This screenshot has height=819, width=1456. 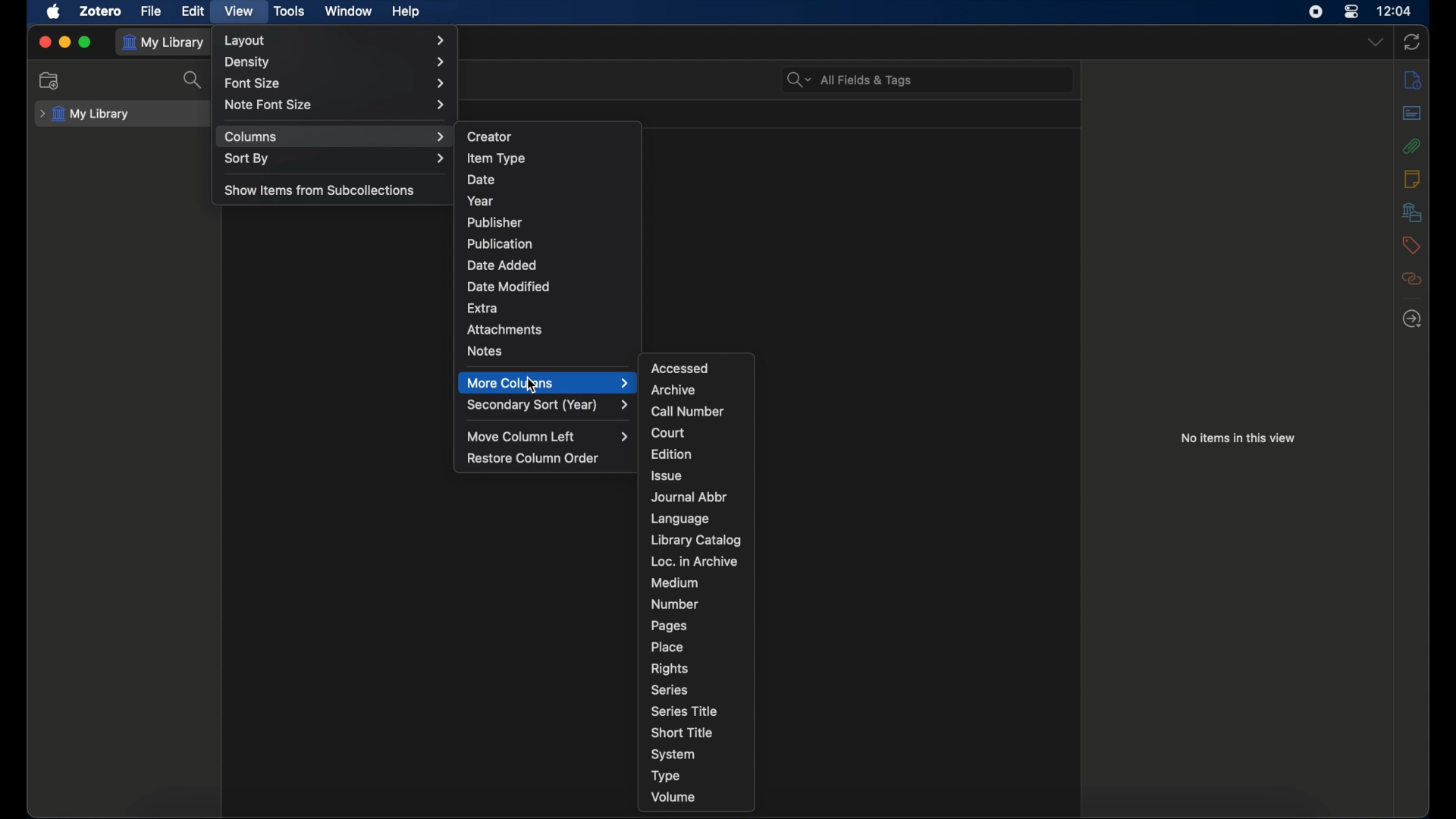 I want to click on court, so click(x=668, y=432).